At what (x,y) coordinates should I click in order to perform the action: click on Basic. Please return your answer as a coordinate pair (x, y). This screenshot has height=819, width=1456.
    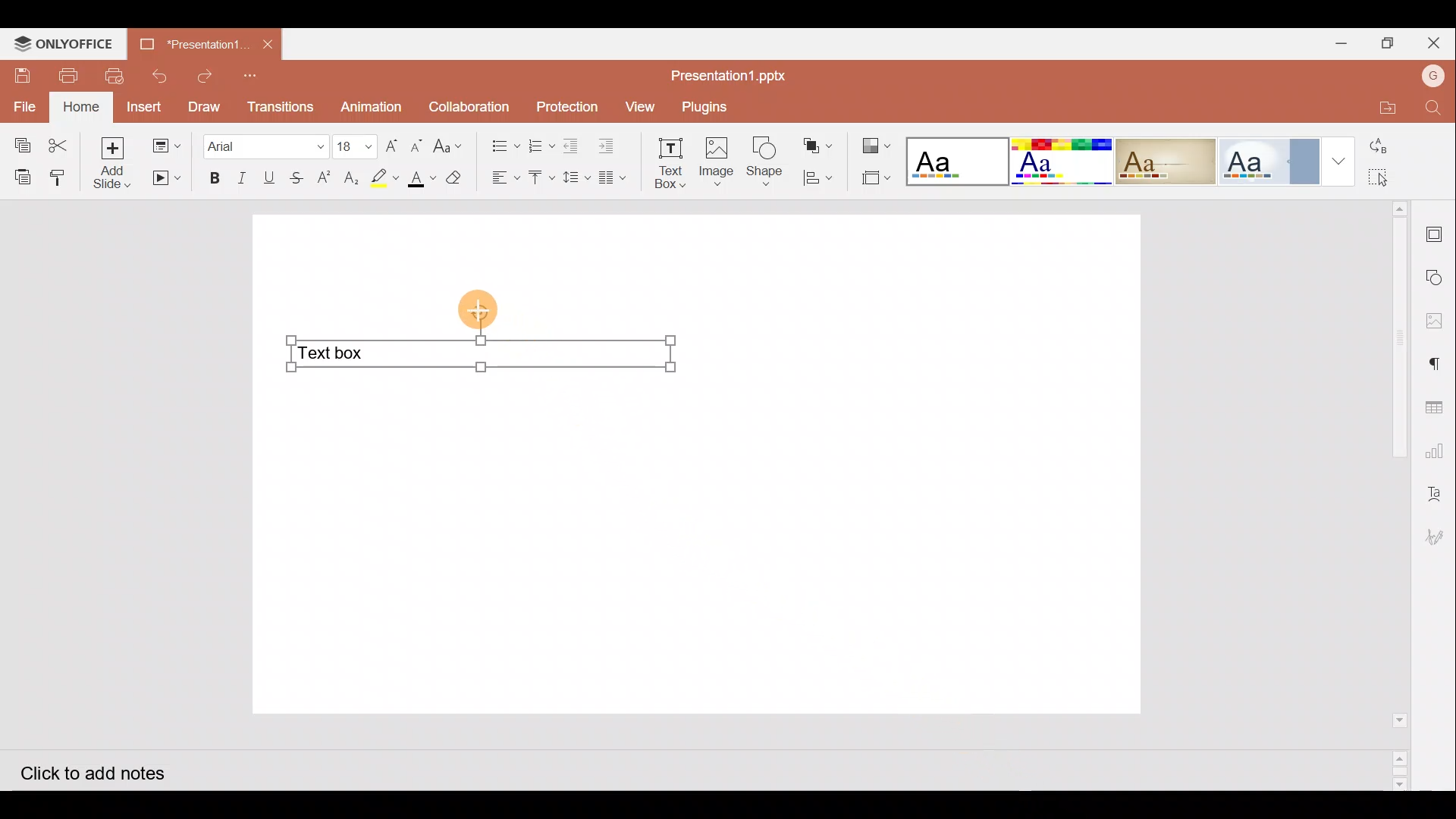
    Looking at the image, I should click on (1057, 160).